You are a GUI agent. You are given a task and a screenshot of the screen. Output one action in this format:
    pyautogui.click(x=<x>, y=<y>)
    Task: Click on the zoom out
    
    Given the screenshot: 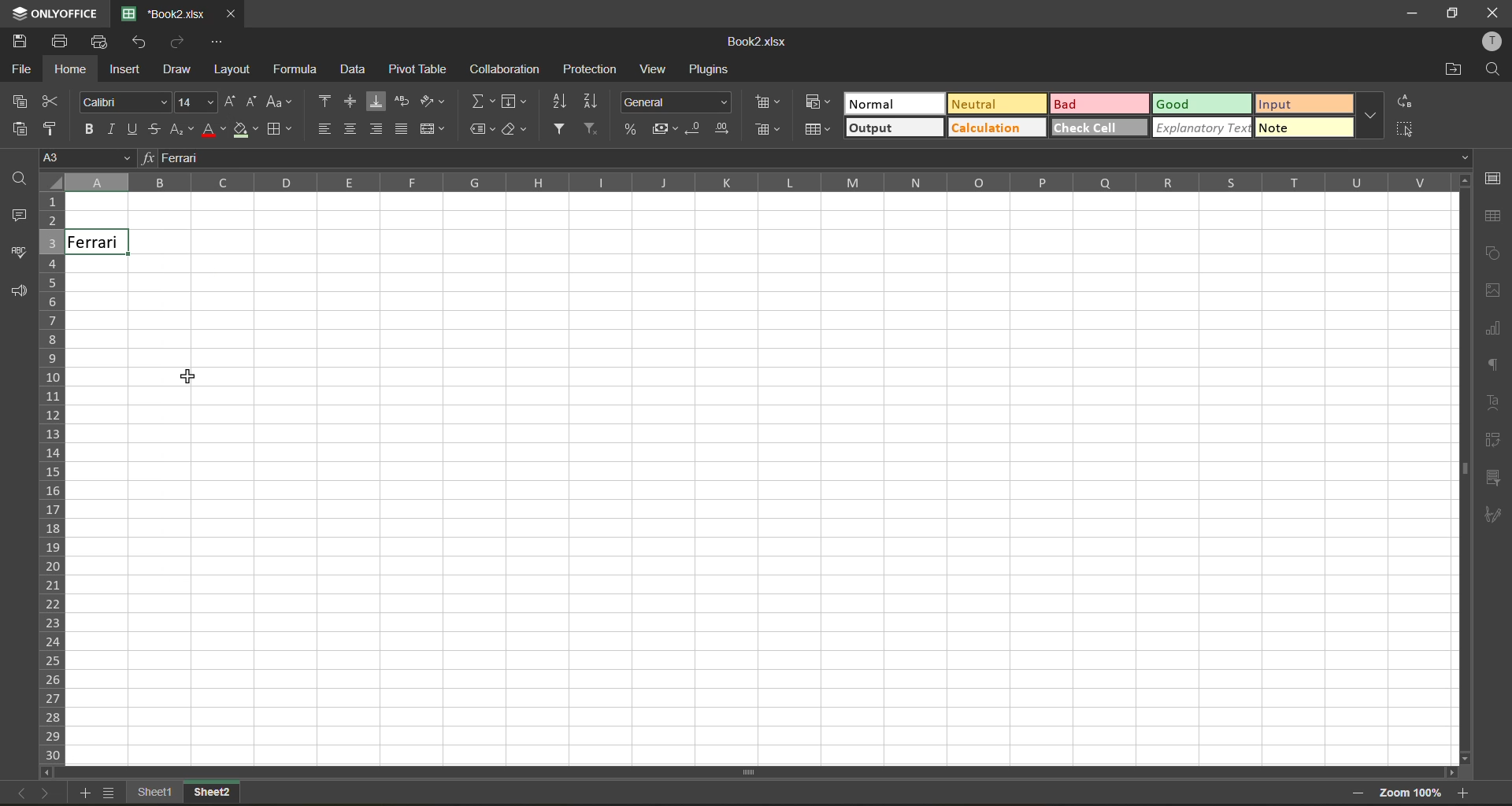 What is the action you would take?
    pyautogui.click(x=1358, y=794)
    